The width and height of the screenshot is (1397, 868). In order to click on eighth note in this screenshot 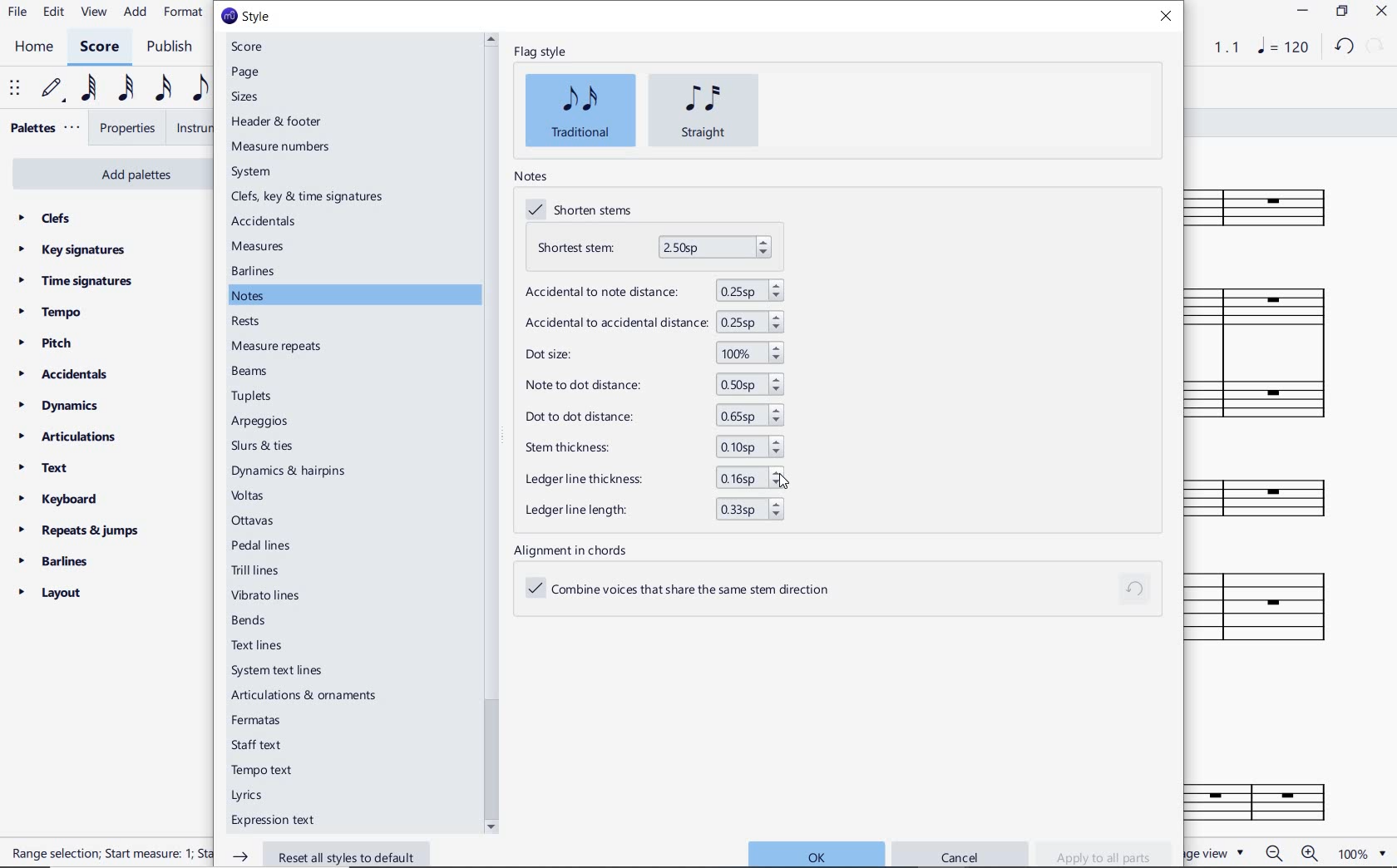, I will do `click(200, 89)`.